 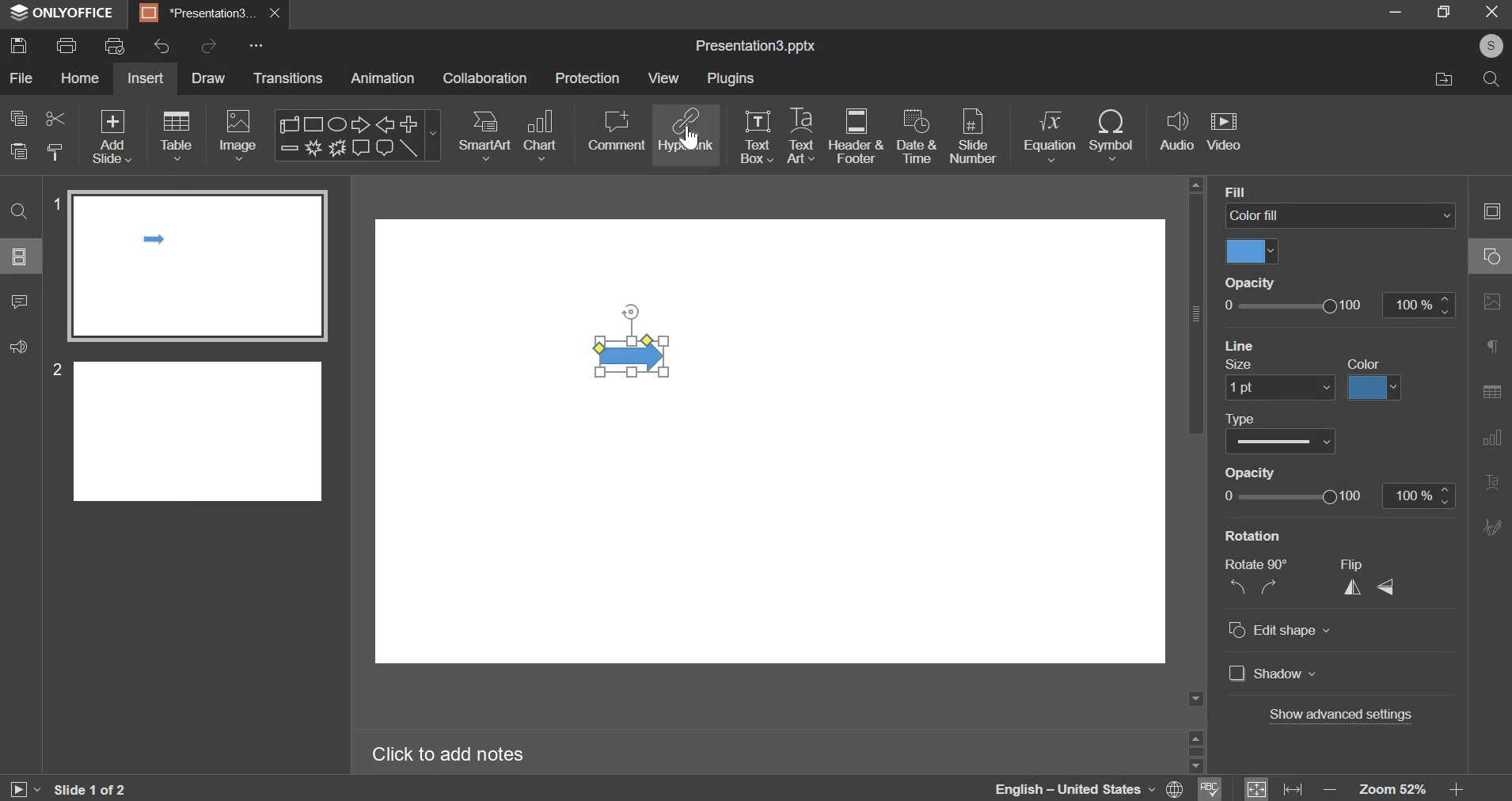 I want to click on opacity from 0 to 100, so click(x=1293, y=495).